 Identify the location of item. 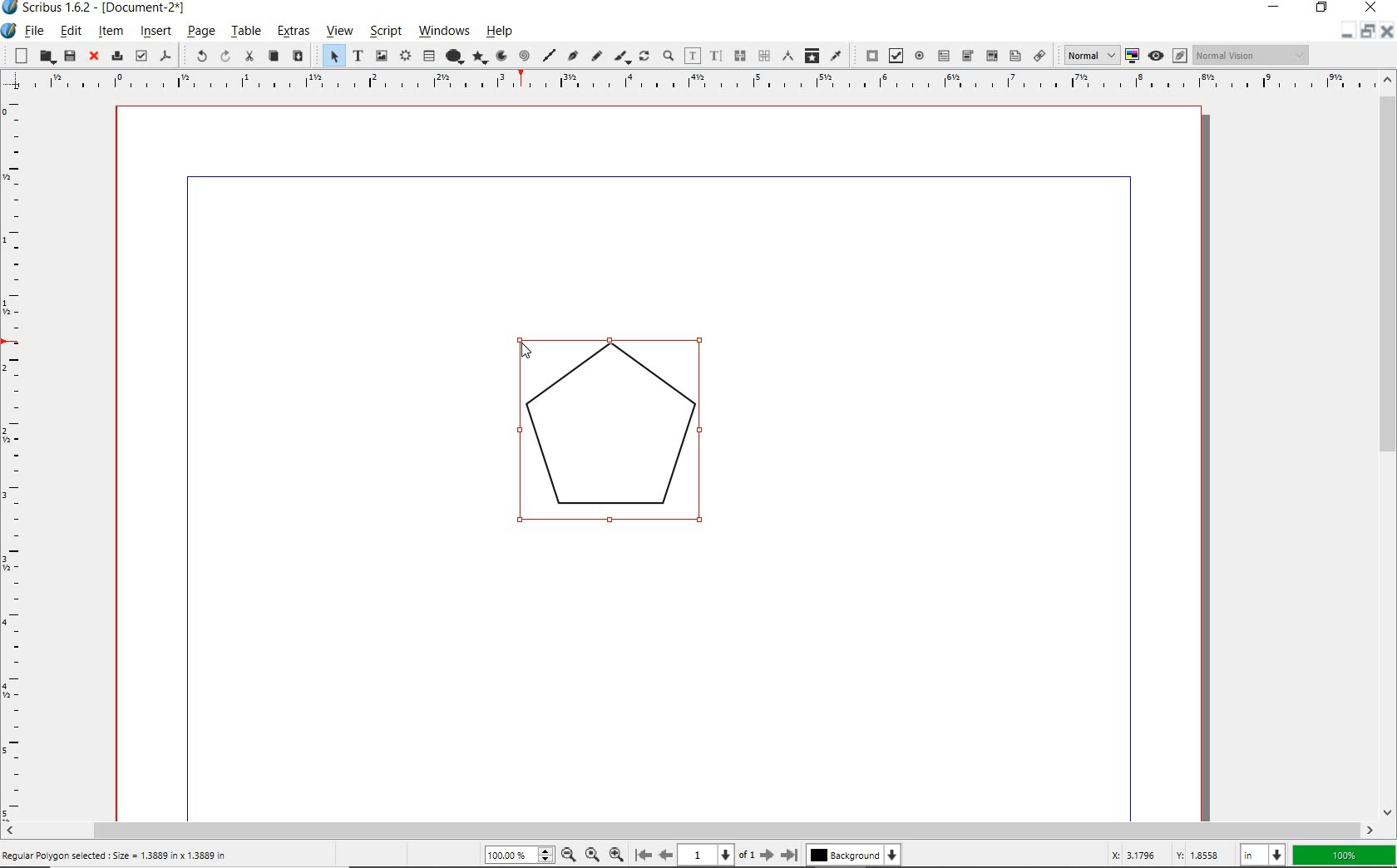
(111, 33).